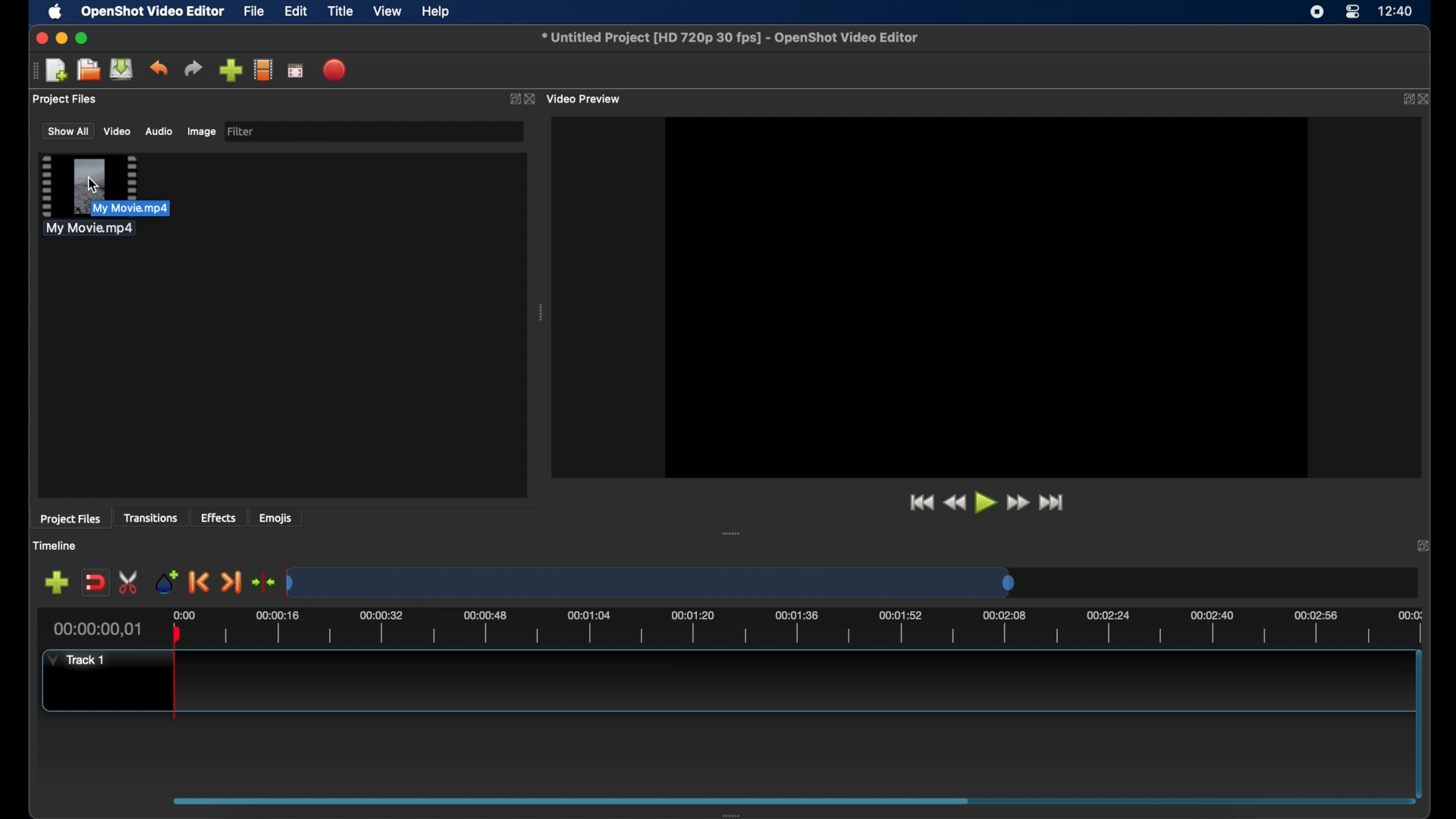 The height and width of the screenshot is (819, 1456). I want to click on add track, so click(56, 583).